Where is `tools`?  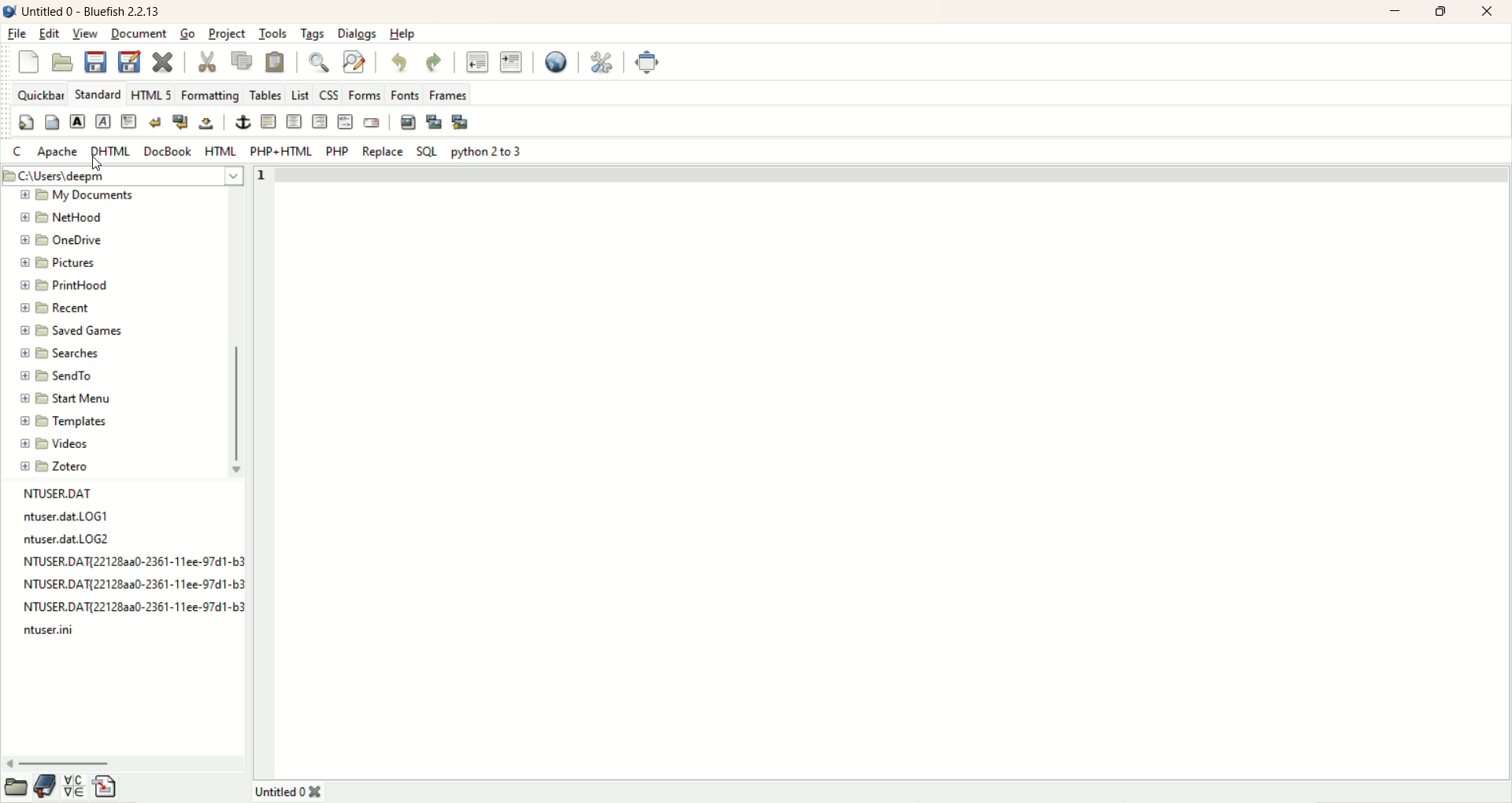 tools is located at coordinates (272, 33).